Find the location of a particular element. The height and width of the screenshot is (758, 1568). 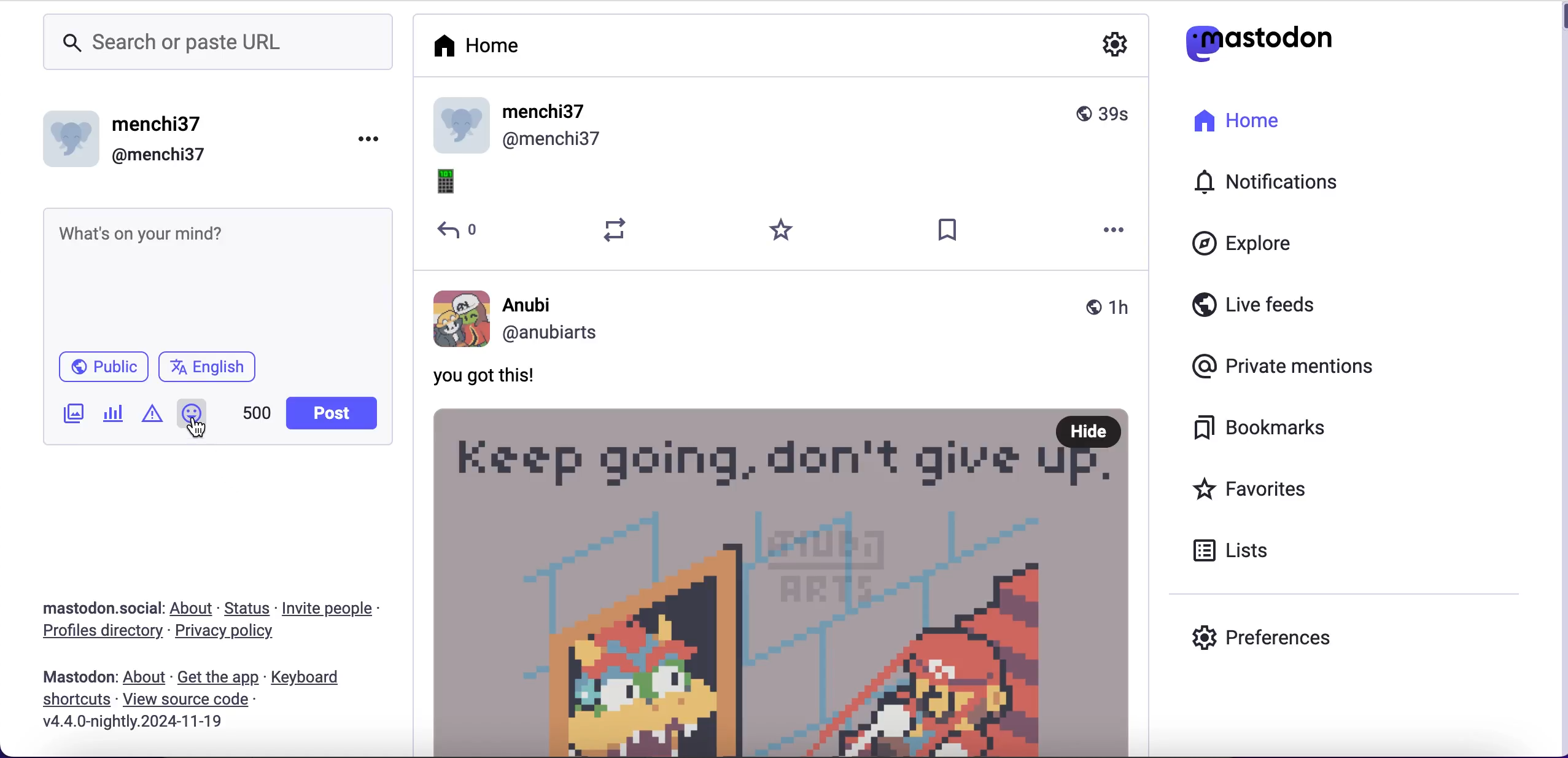

explore is located at coordinates (1262, 245).